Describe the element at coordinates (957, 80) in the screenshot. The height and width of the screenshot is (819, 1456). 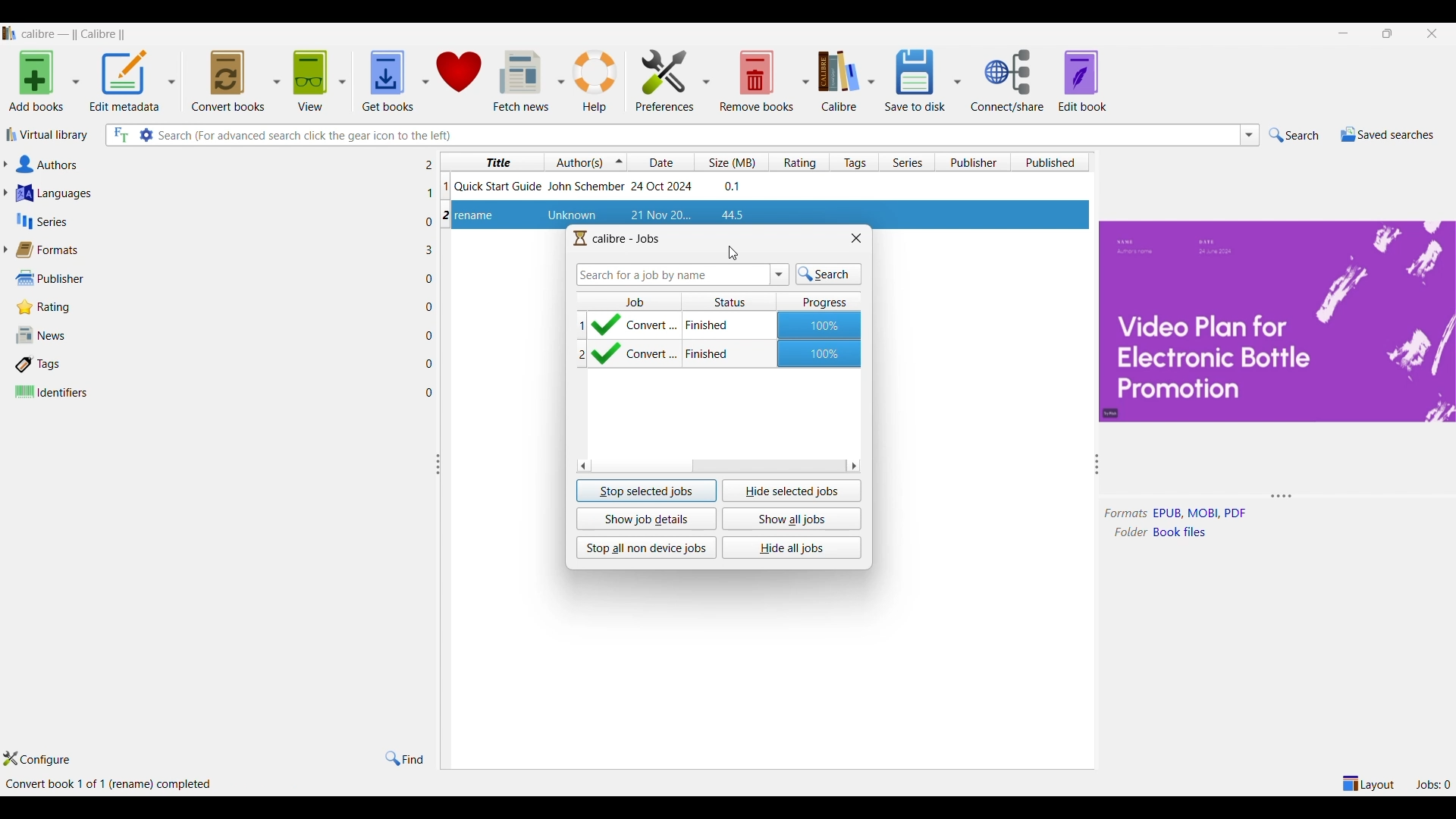
I see `Save options` at that location.